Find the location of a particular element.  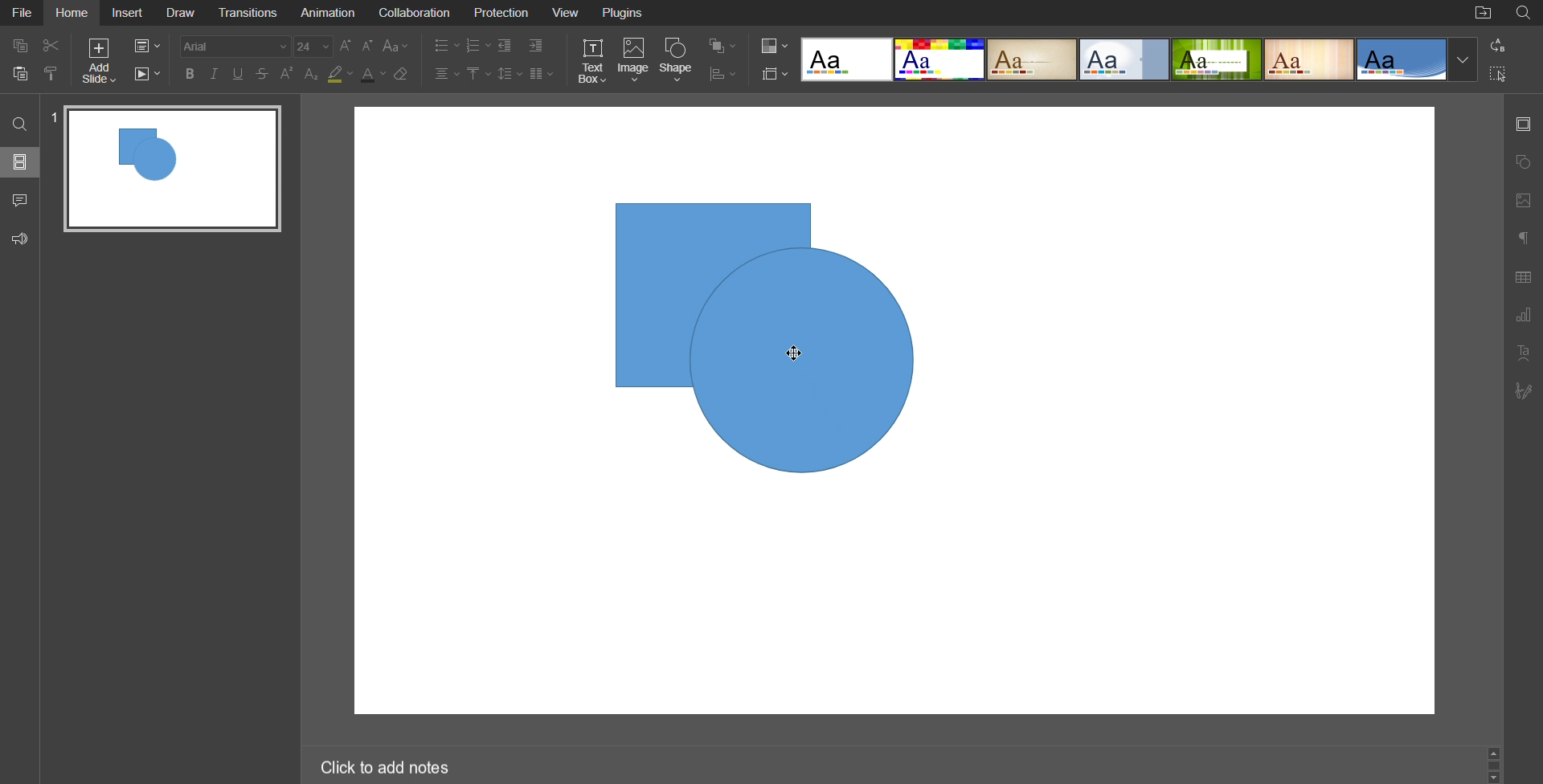

Shapes (Circle Front) is located at coordinates (776, 342).